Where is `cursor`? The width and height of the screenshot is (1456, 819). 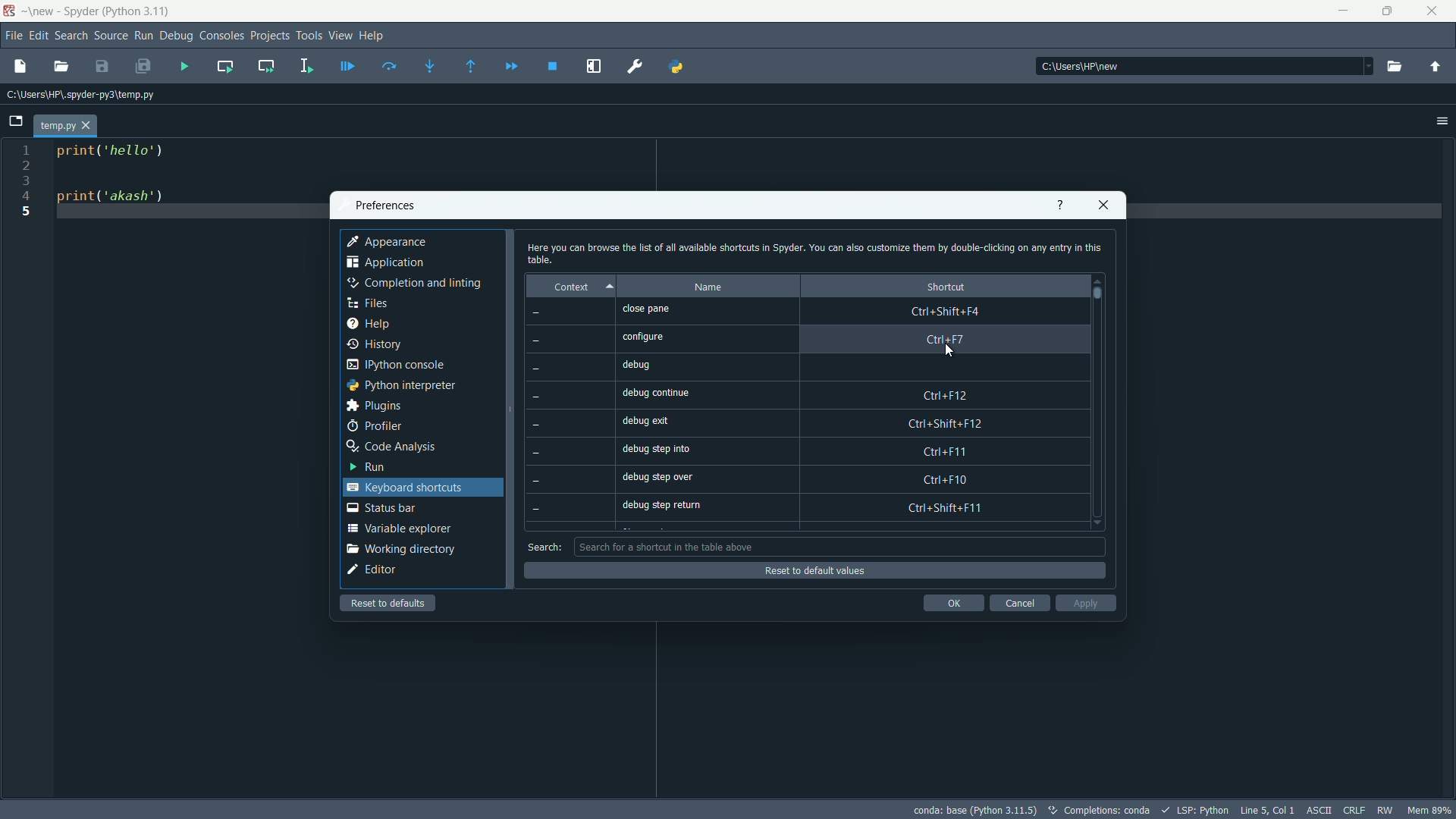 cursor is located at coordinates (955, 354).